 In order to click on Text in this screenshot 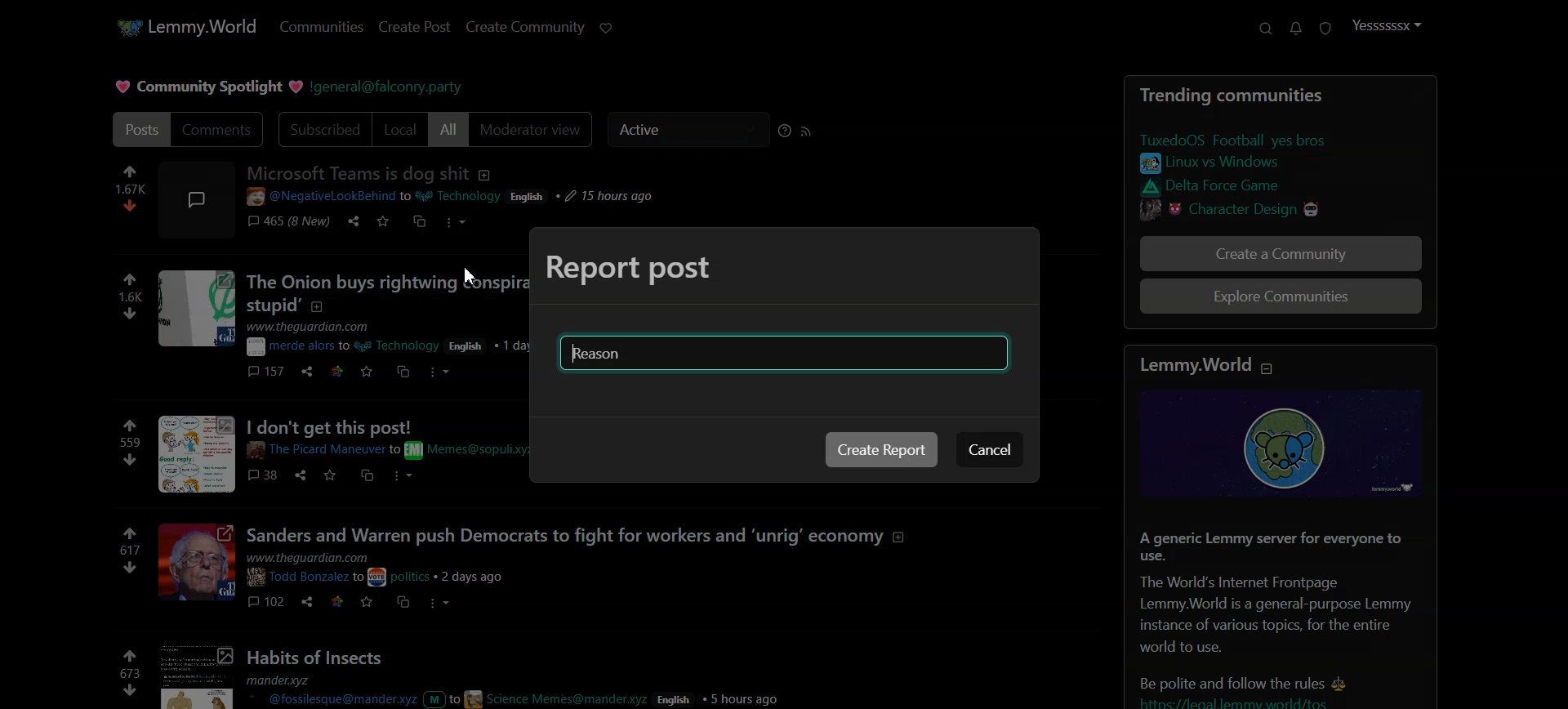, I will do `click(206, 87)`.